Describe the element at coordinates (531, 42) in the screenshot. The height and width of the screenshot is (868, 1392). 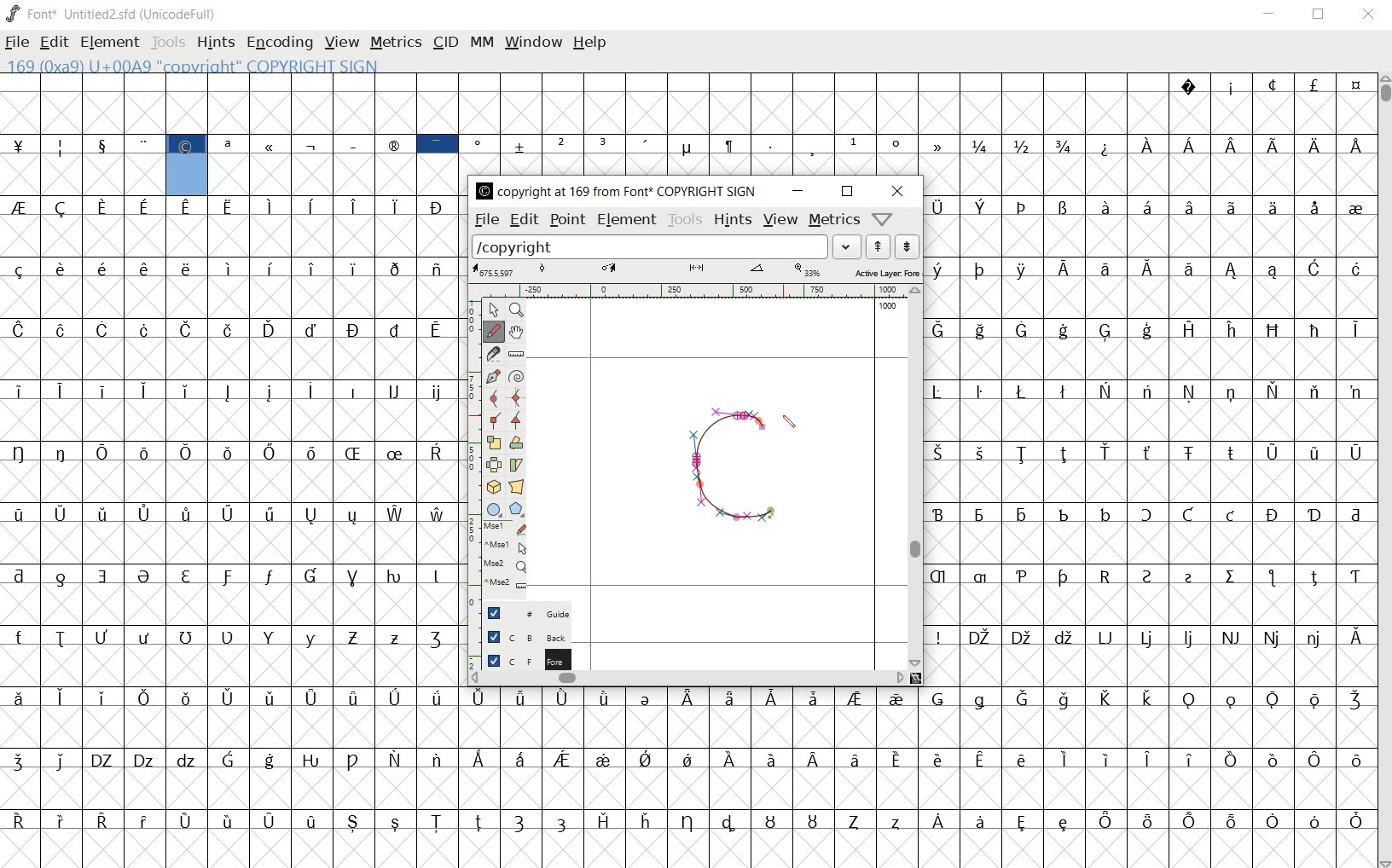
I see `window` at that location.